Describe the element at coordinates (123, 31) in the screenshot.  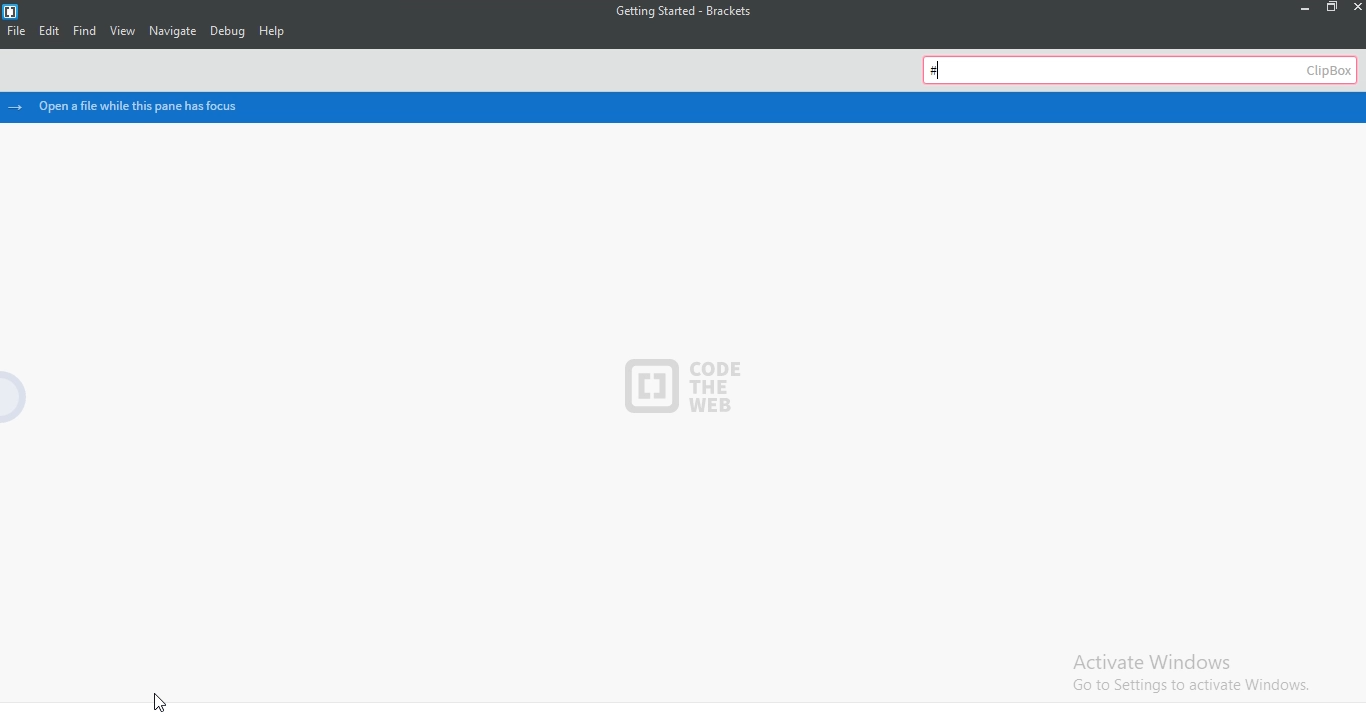
I see `view` at that location.